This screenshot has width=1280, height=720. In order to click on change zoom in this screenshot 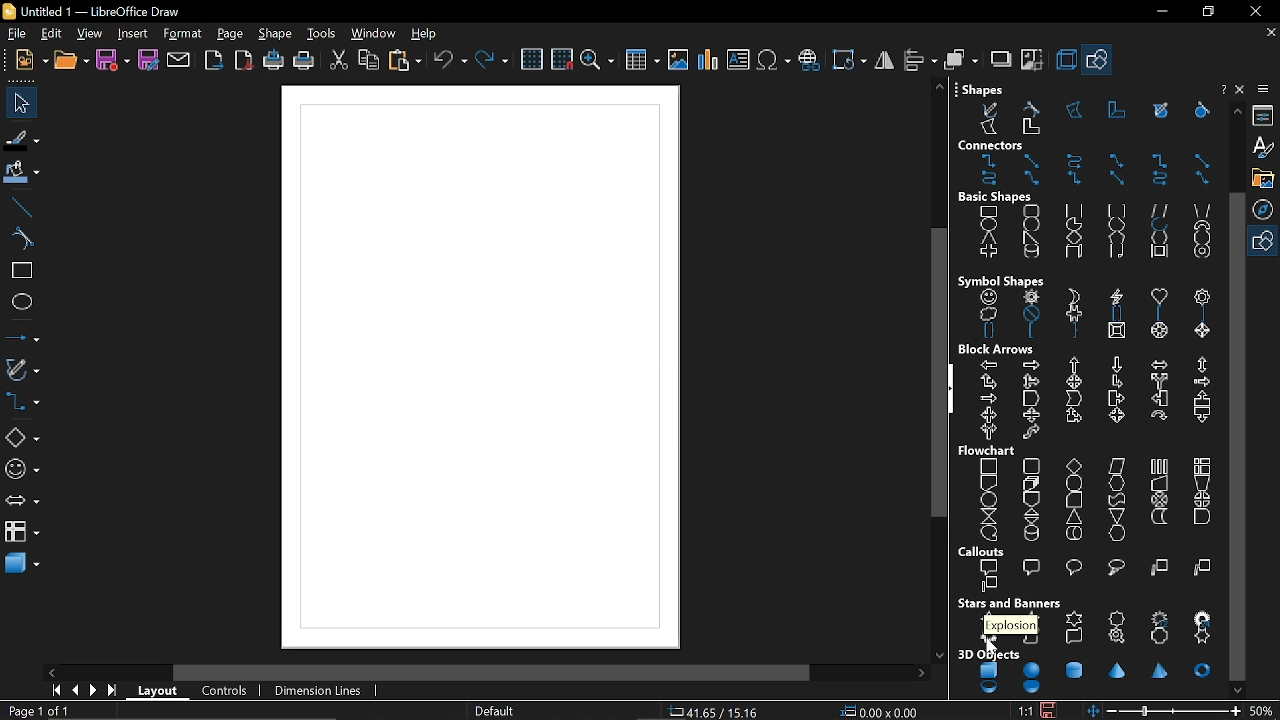, I will do `click(1165, 711)`.